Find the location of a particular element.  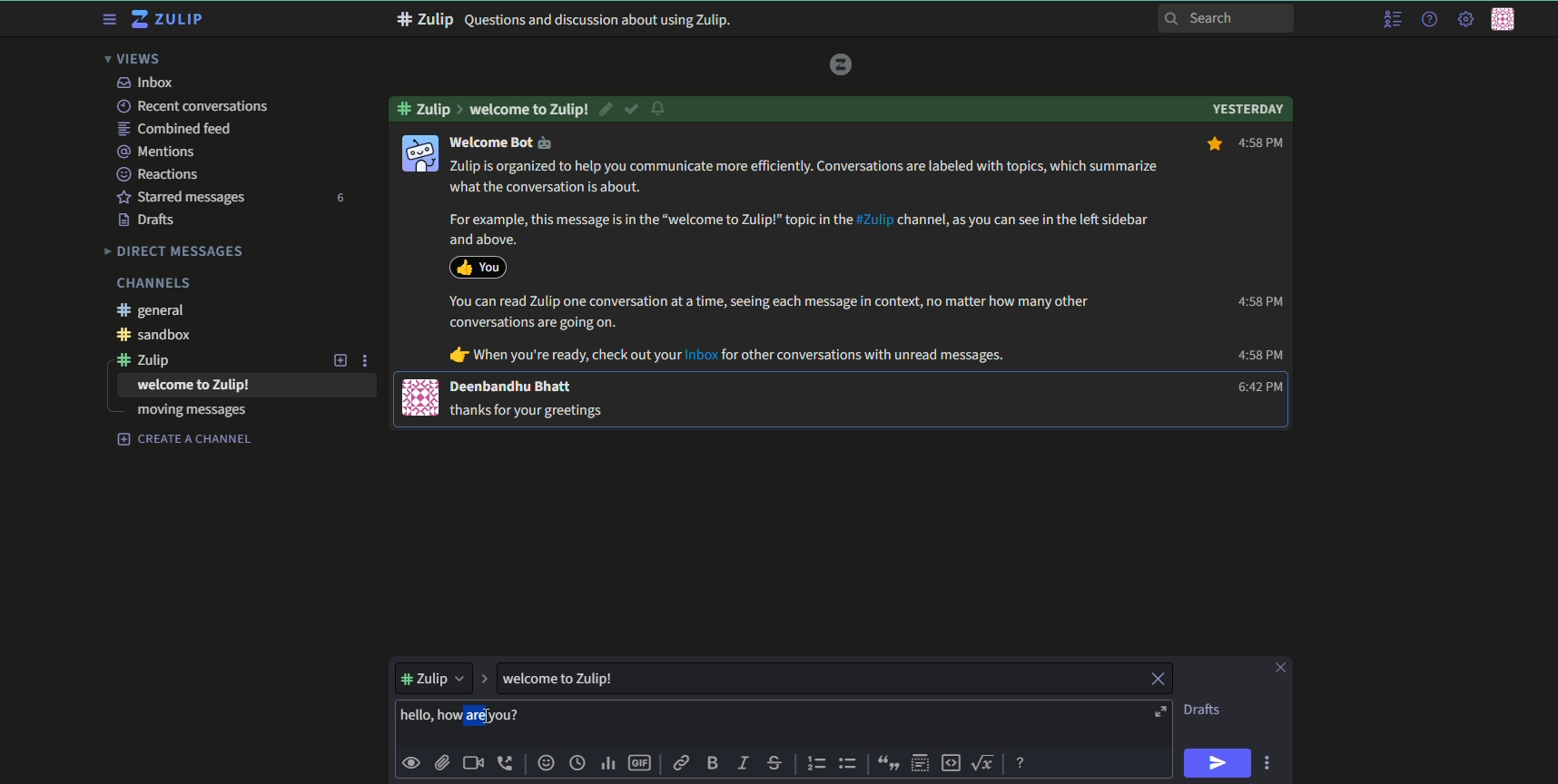

resolved is located at coordinates (633, 109).